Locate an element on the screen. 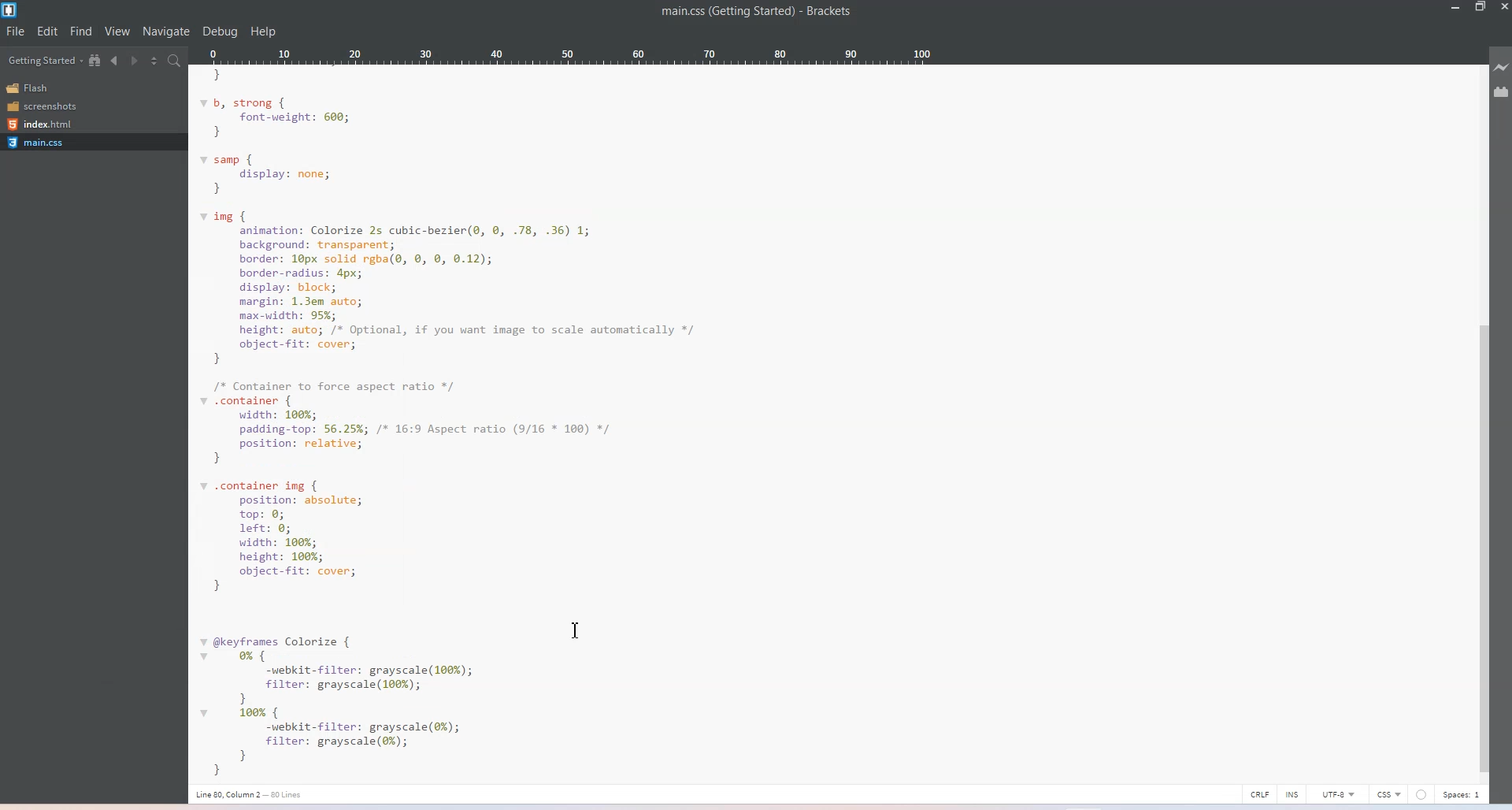  CSS is located at coordinates (1388, 794).